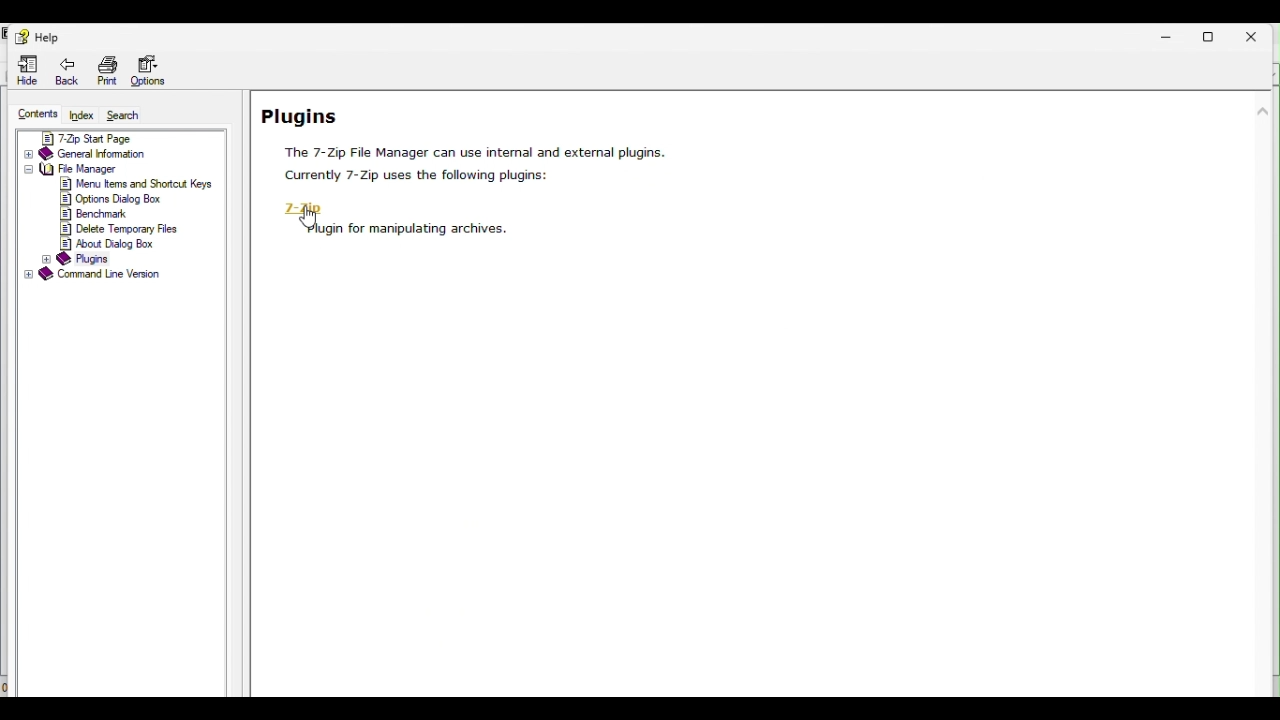 This screenshot has width=1280, height=720. I want to click on Options, so click(152, 69).